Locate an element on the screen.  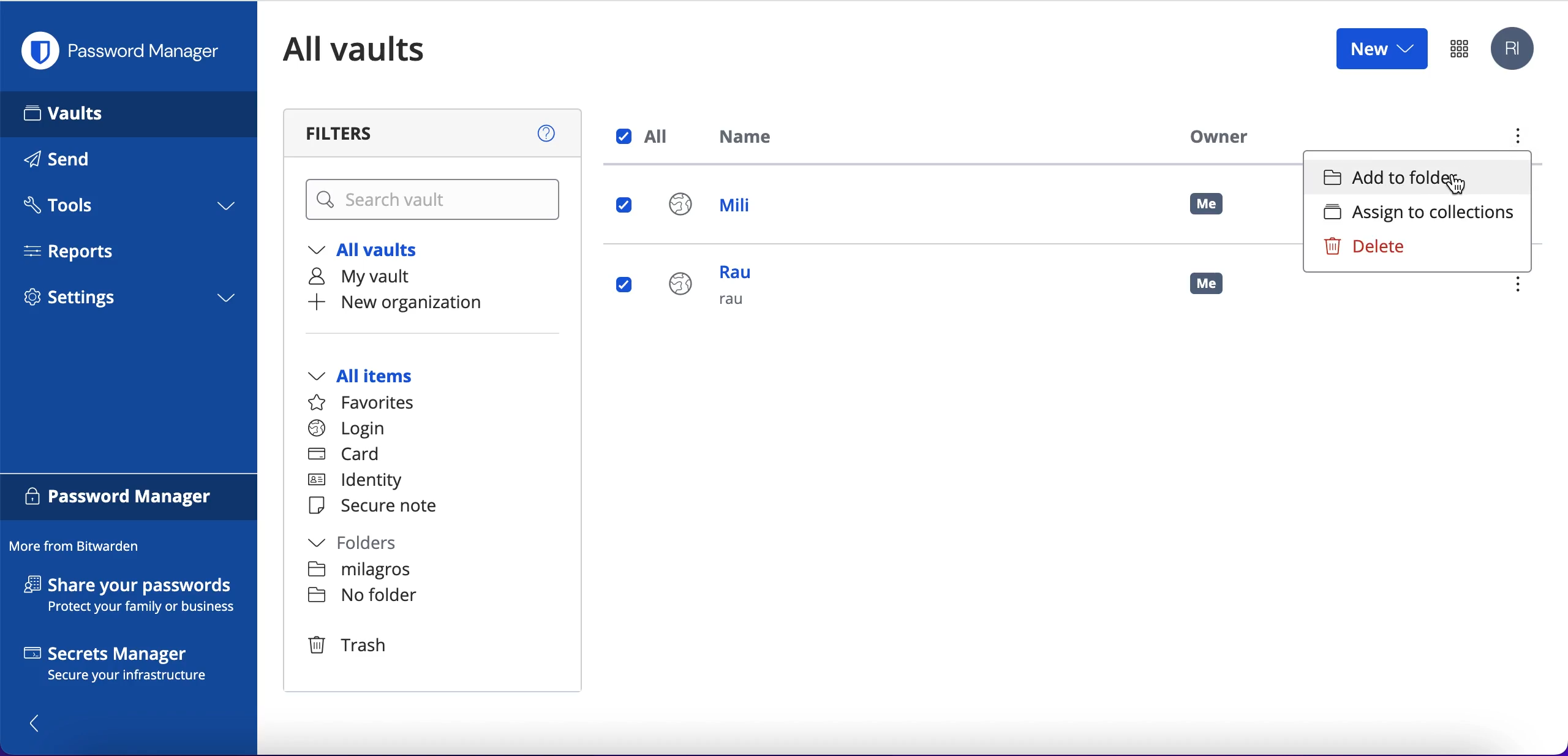
no folder is located at coordinates (362, 597).